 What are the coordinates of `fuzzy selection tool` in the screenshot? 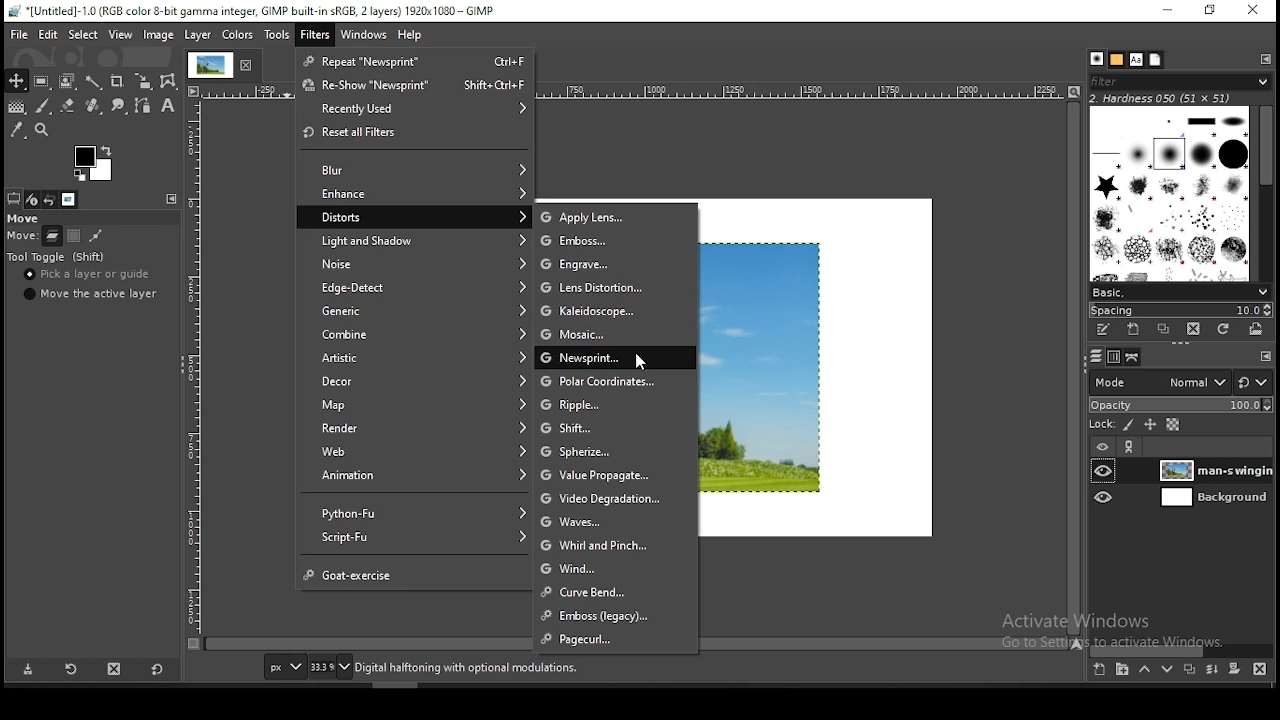 It's located at (93, 83).